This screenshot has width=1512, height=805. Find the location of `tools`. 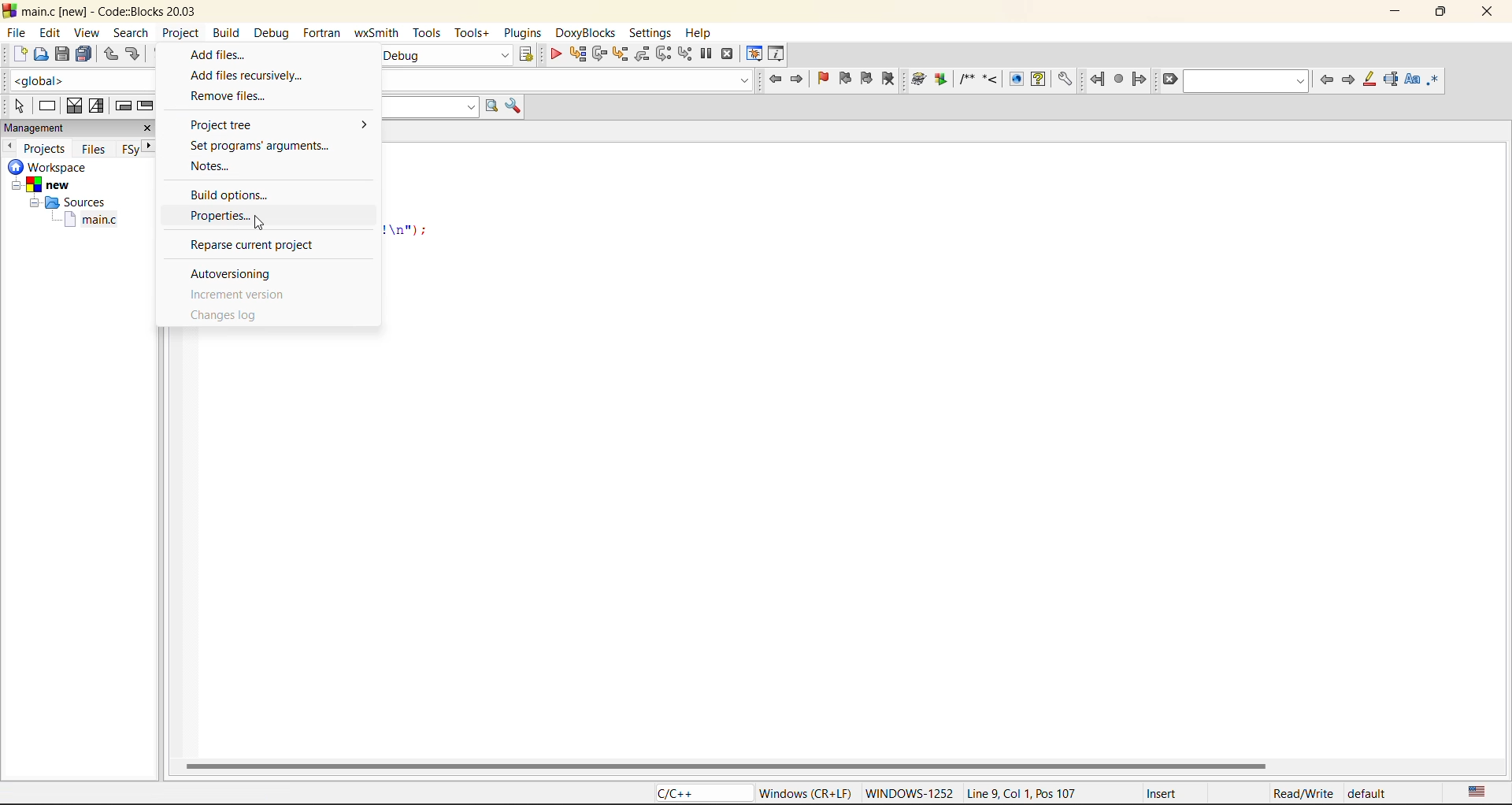

tools is located at coordinates (426, 34).